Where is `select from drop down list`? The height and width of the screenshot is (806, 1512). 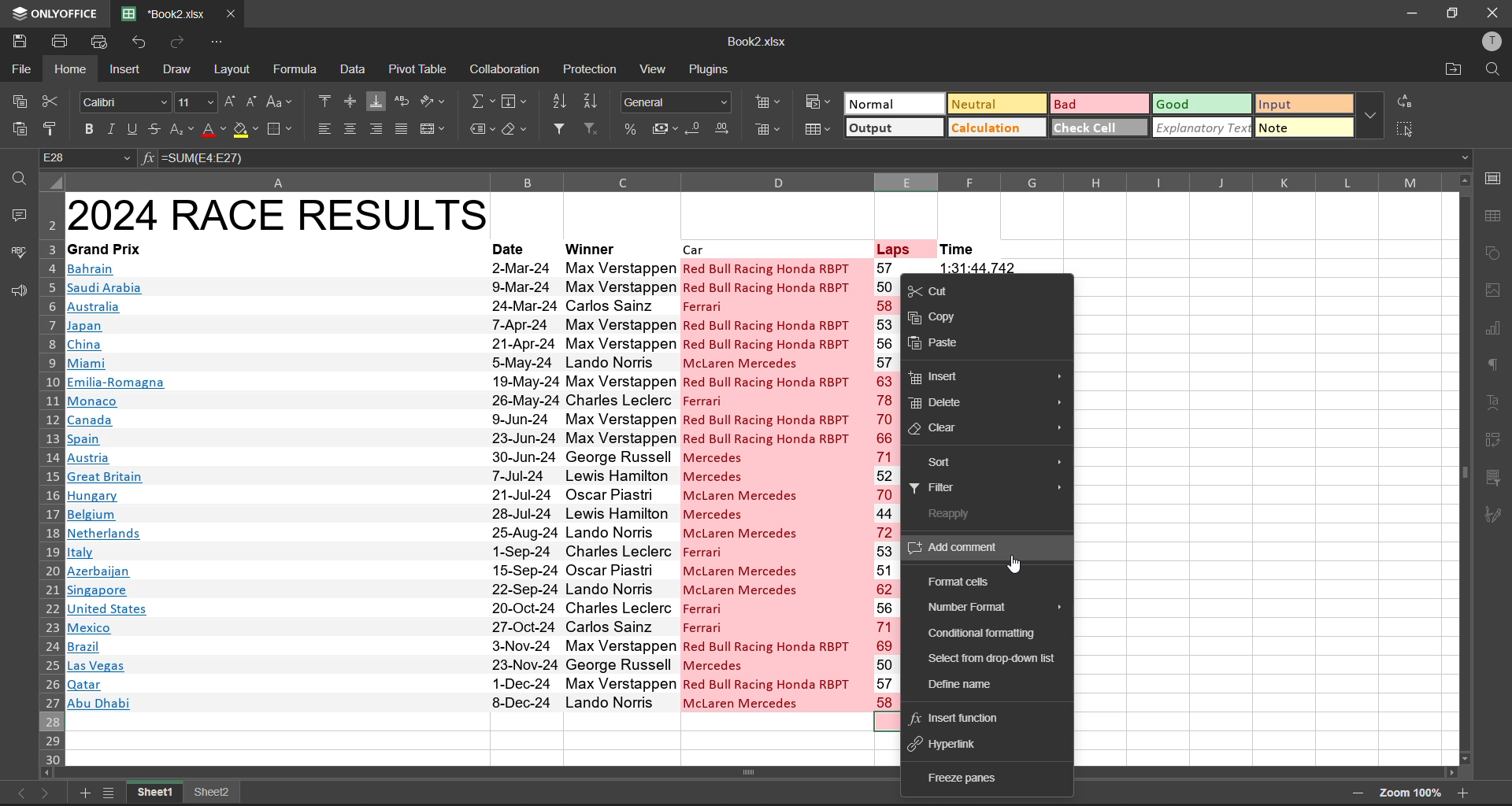 select from drop down list is located at coordinates (988, 660).